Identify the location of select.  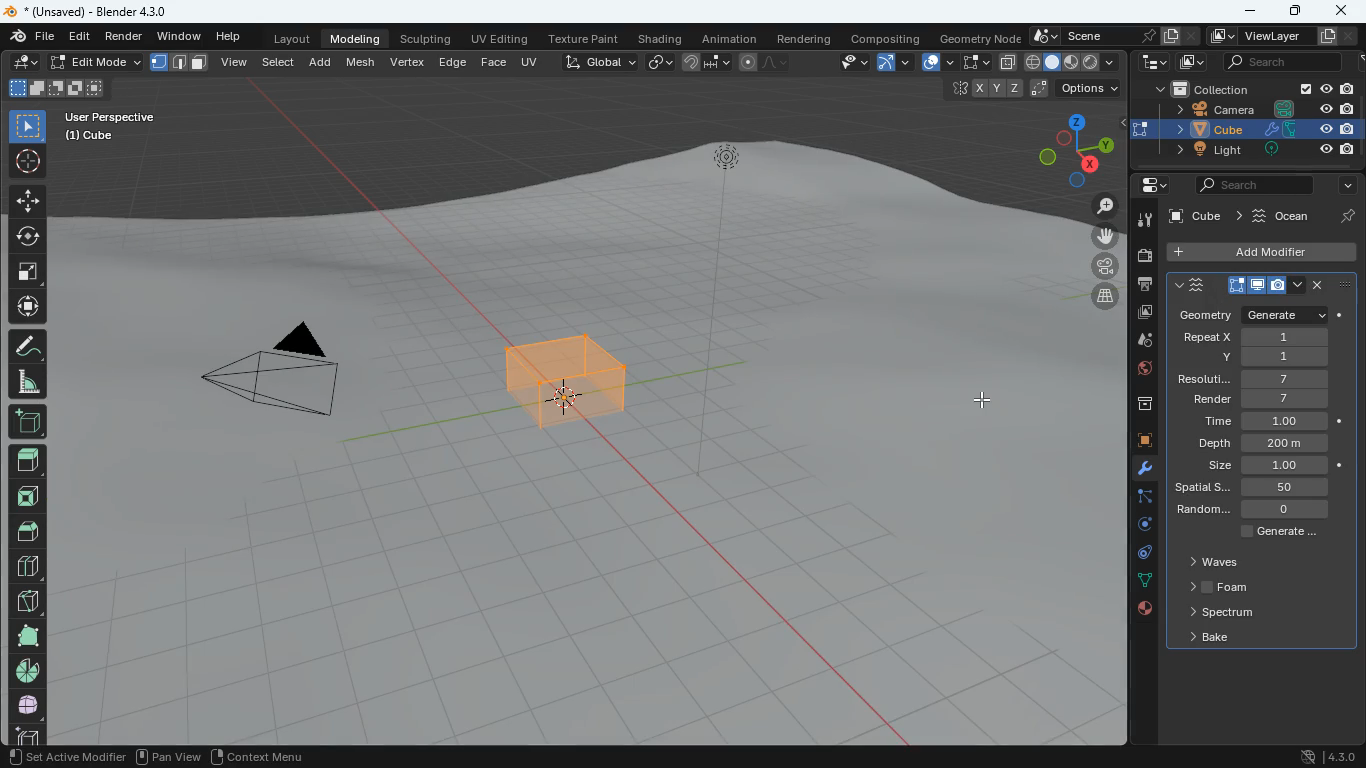
(28, 124).